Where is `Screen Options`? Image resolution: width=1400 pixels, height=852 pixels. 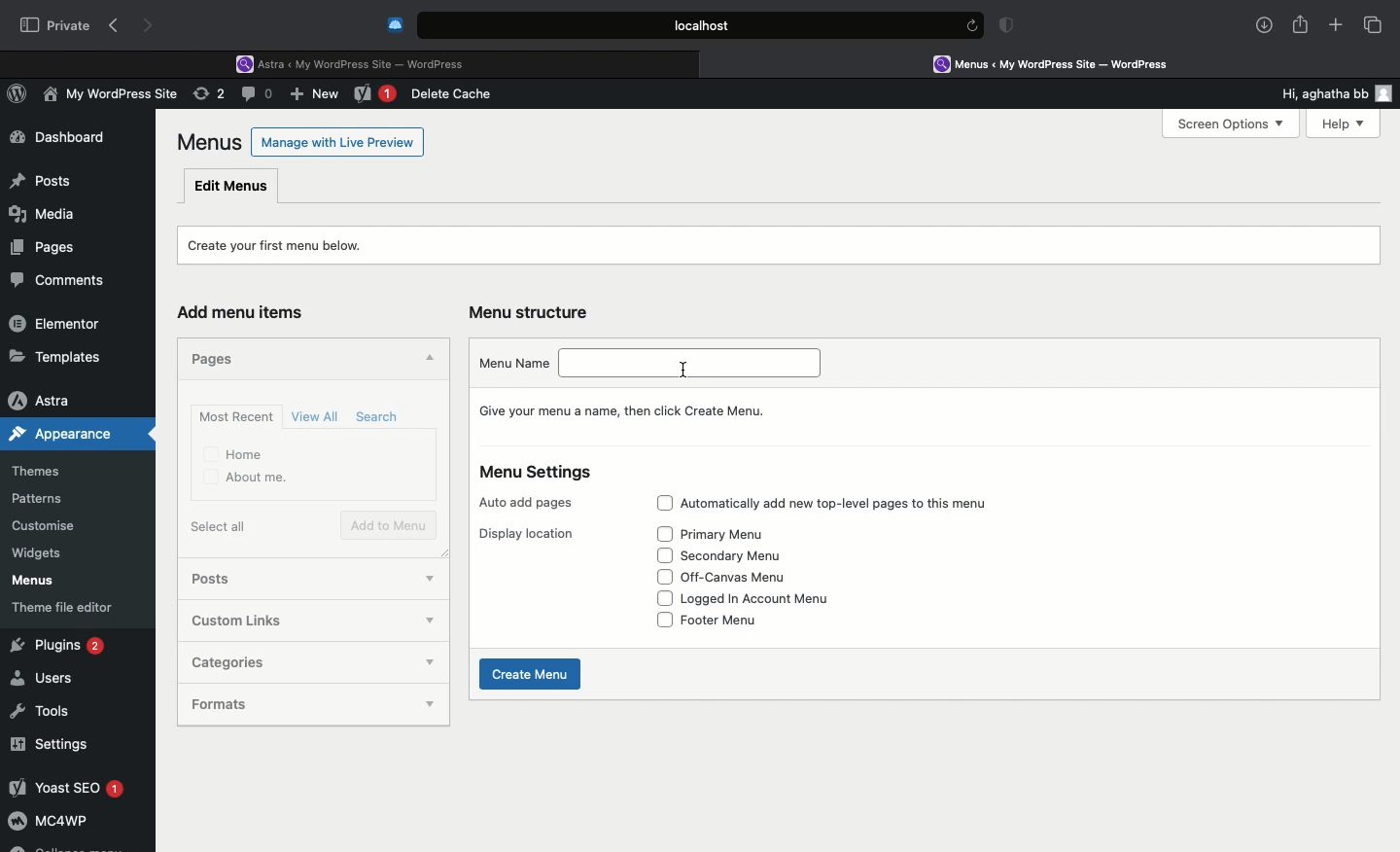 Screen Options is located at coordinates (1229, 124).